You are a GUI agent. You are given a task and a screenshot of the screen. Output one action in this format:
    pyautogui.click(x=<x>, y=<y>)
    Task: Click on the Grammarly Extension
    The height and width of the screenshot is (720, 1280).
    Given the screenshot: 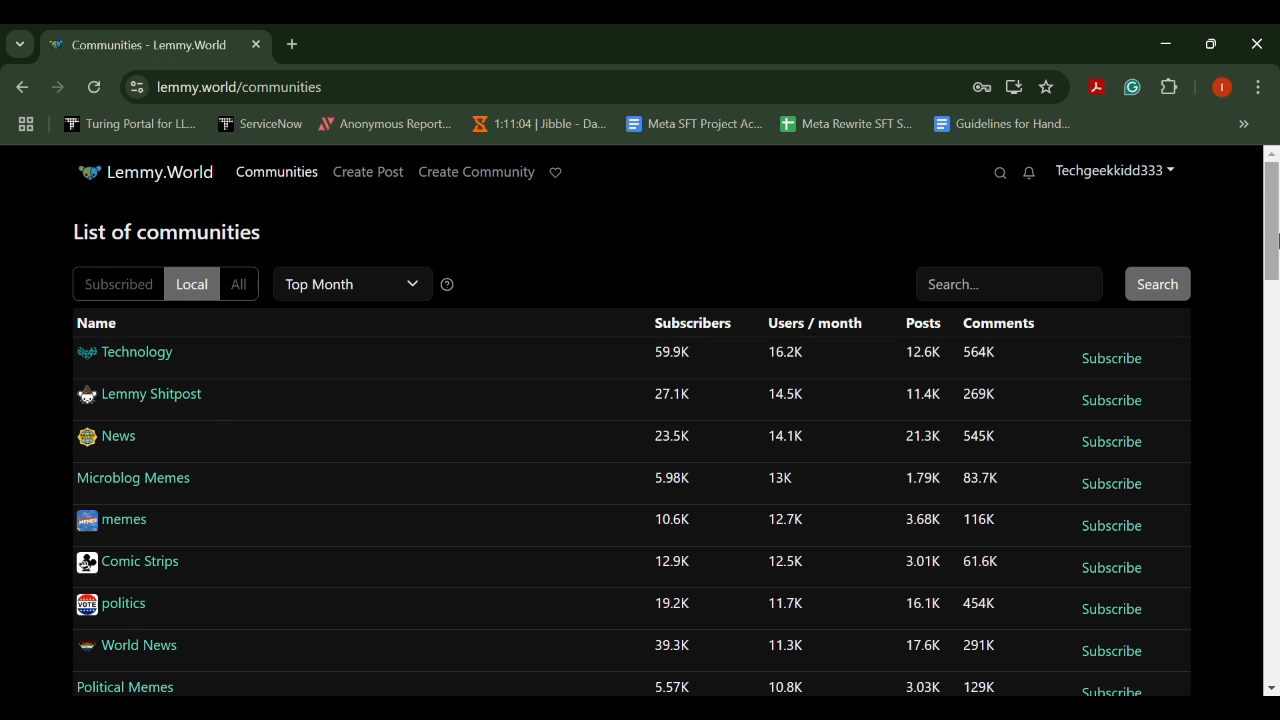 What is the action you would take?
    pyautogui.click(x=1130, y=88)
    